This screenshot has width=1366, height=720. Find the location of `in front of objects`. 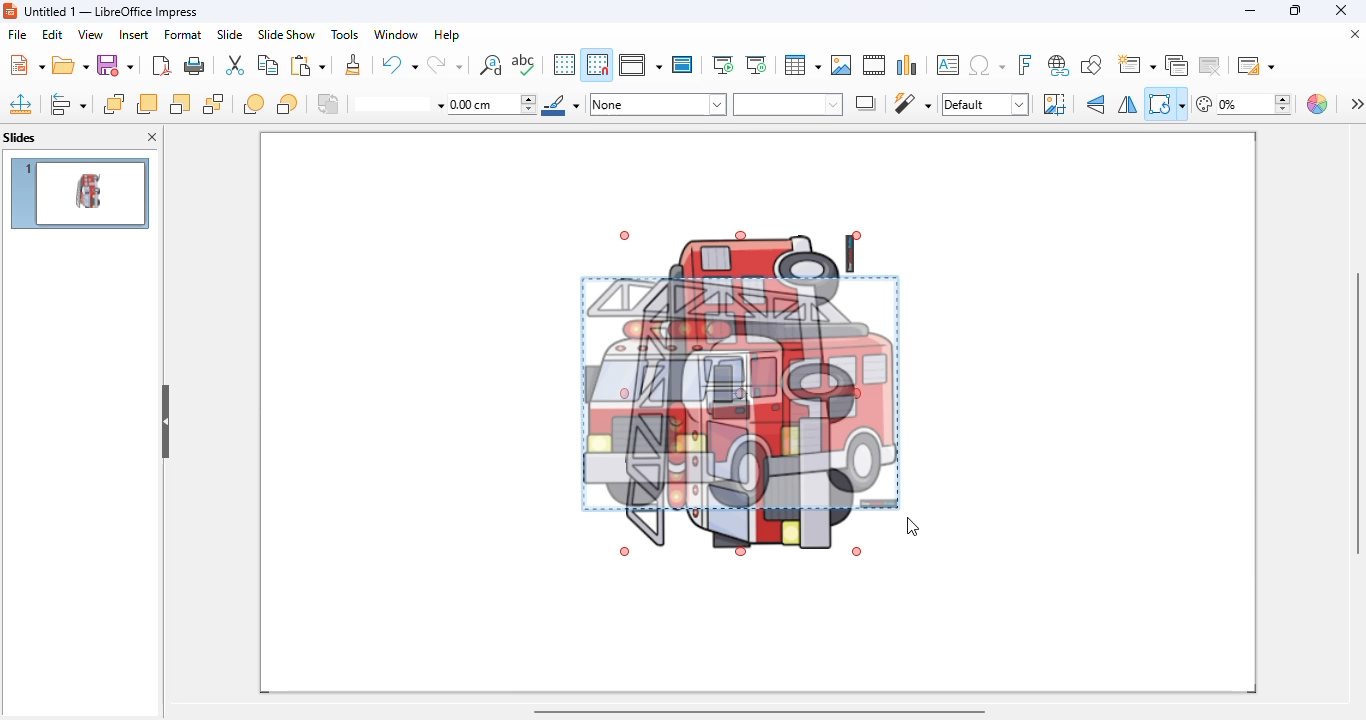

in front of objects is located at coordinates (254, 104).